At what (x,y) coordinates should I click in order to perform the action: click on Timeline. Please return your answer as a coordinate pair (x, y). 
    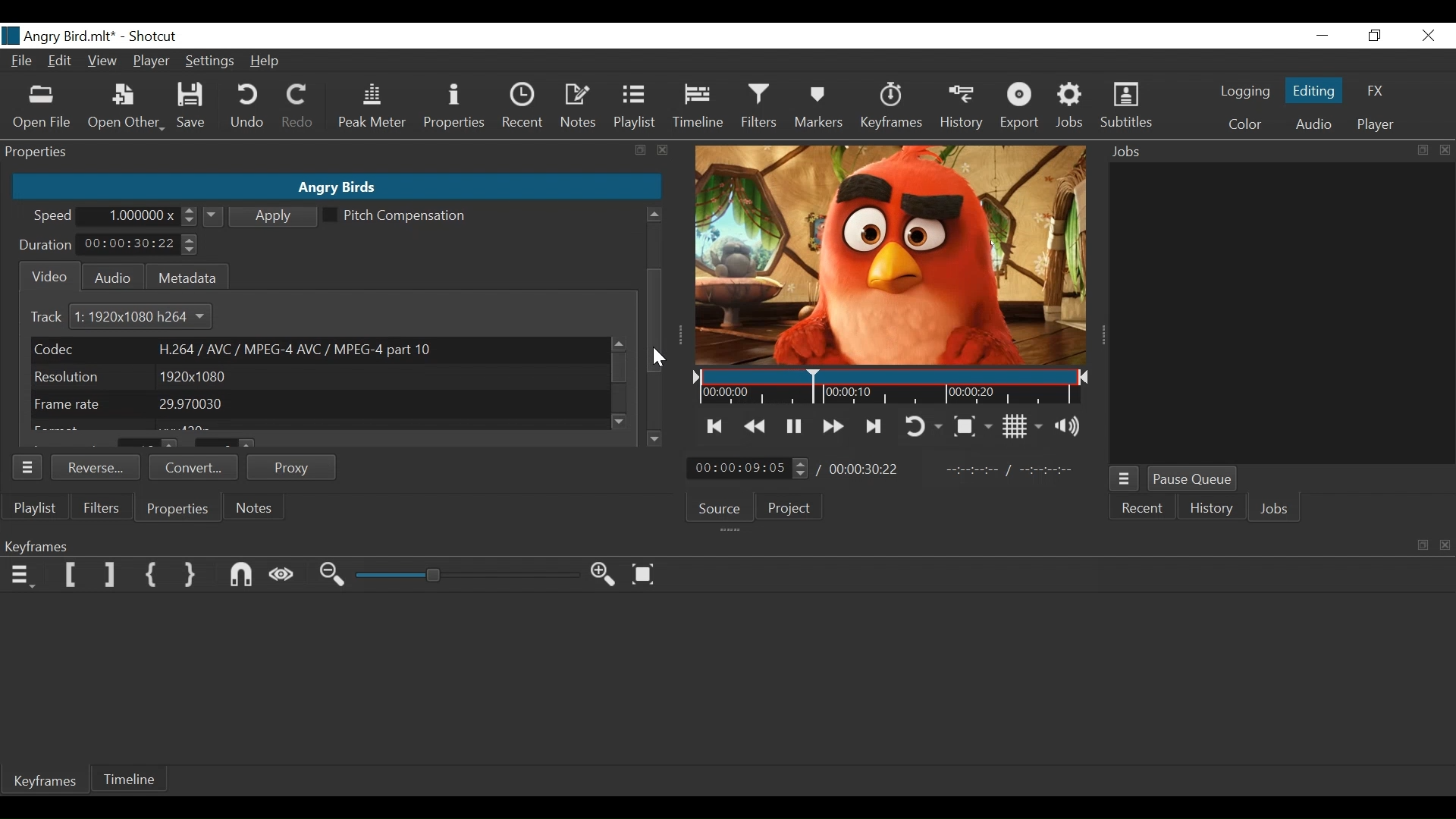
    Looking at the image, I should click on (131, 780).